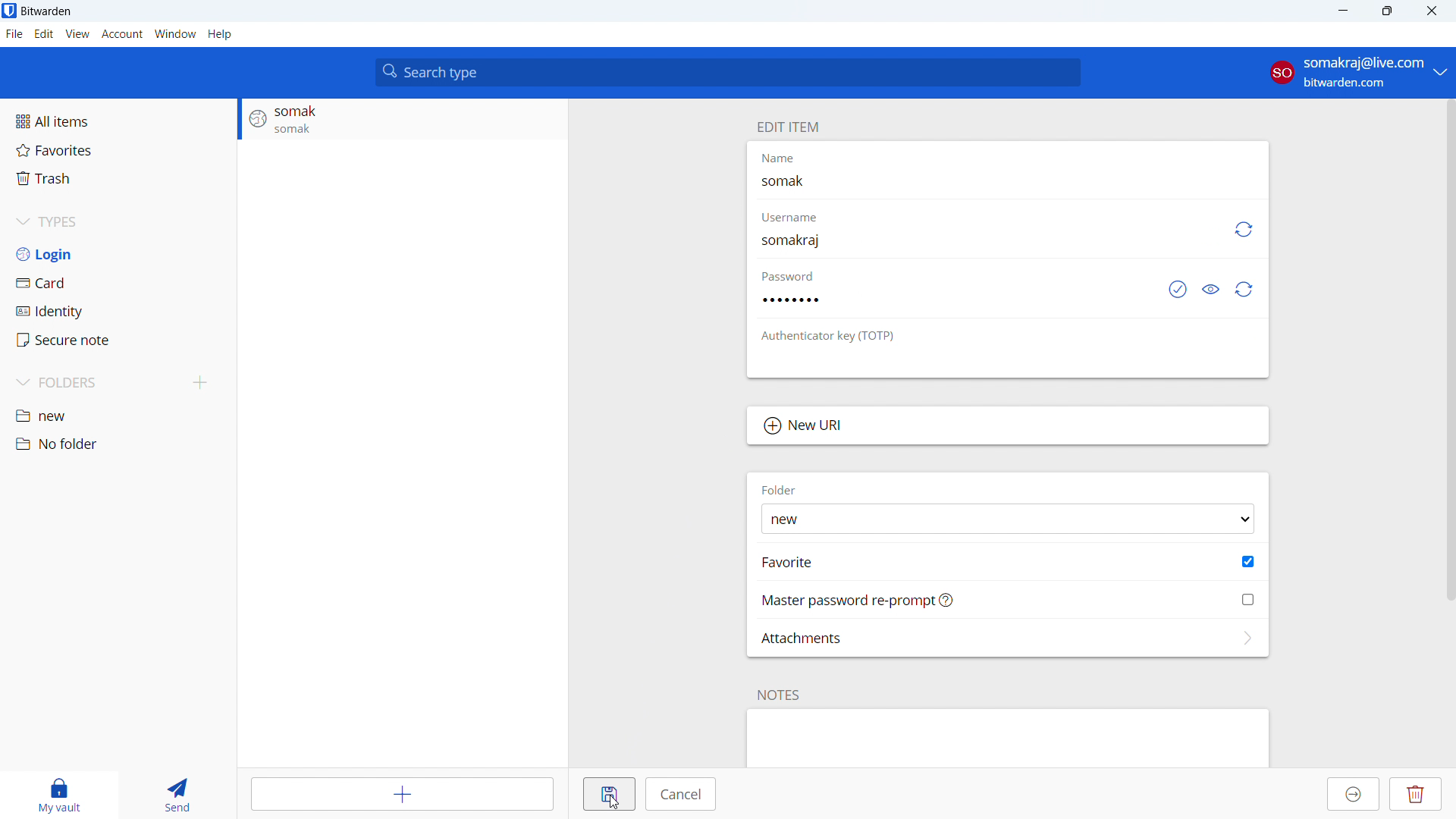 The image size is (1456, 819). Describe the element at coordinates (219, 33) in the screenshot. I see `help` at that location.